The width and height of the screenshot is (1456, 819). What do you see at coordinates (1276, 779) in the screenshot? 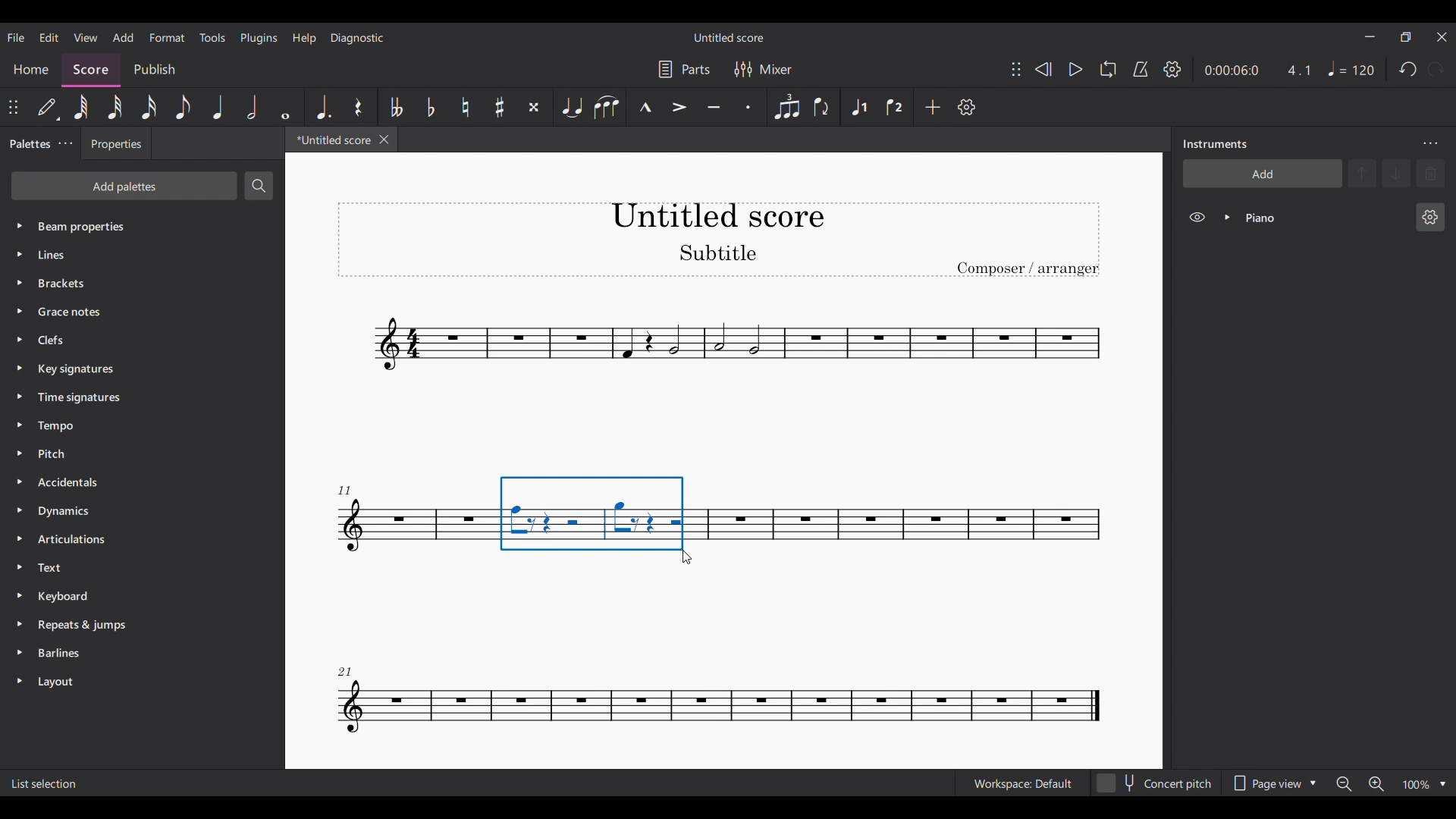
I see `Page view options` at bounding box center [1276, 779].